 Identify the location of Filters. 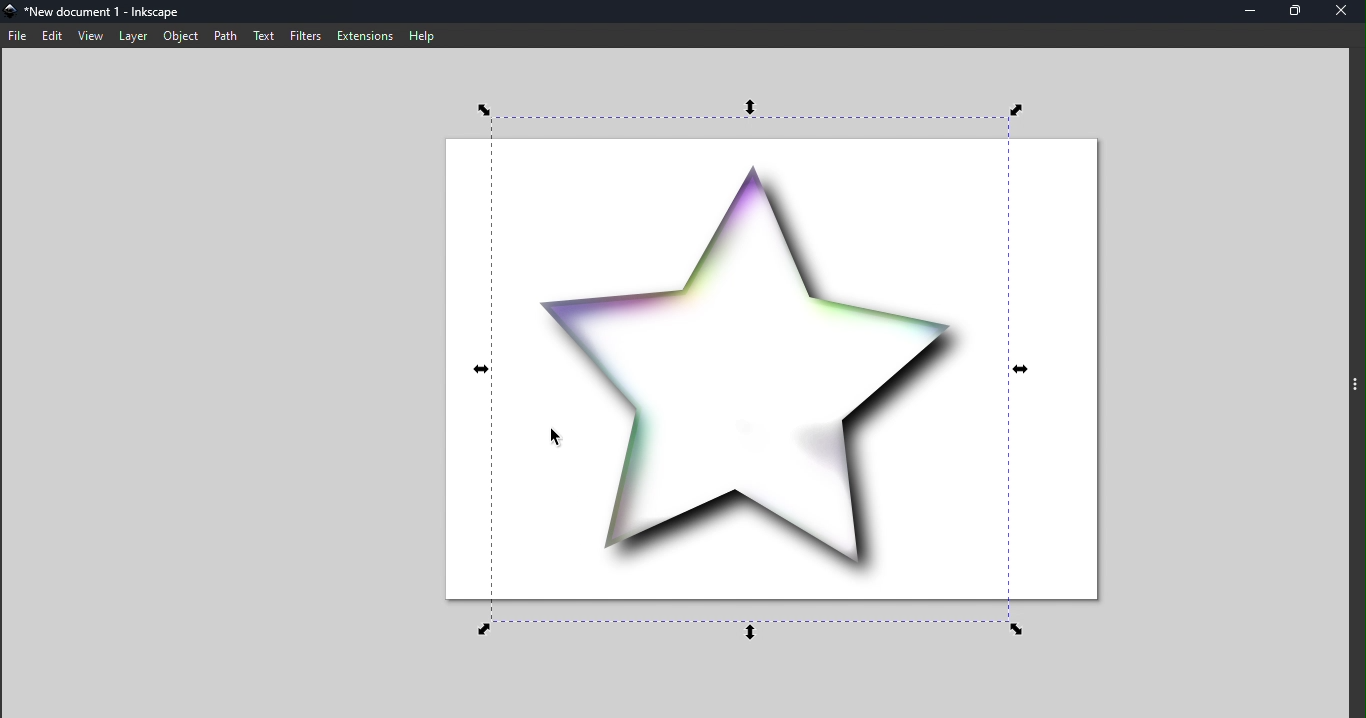
(306, 36).